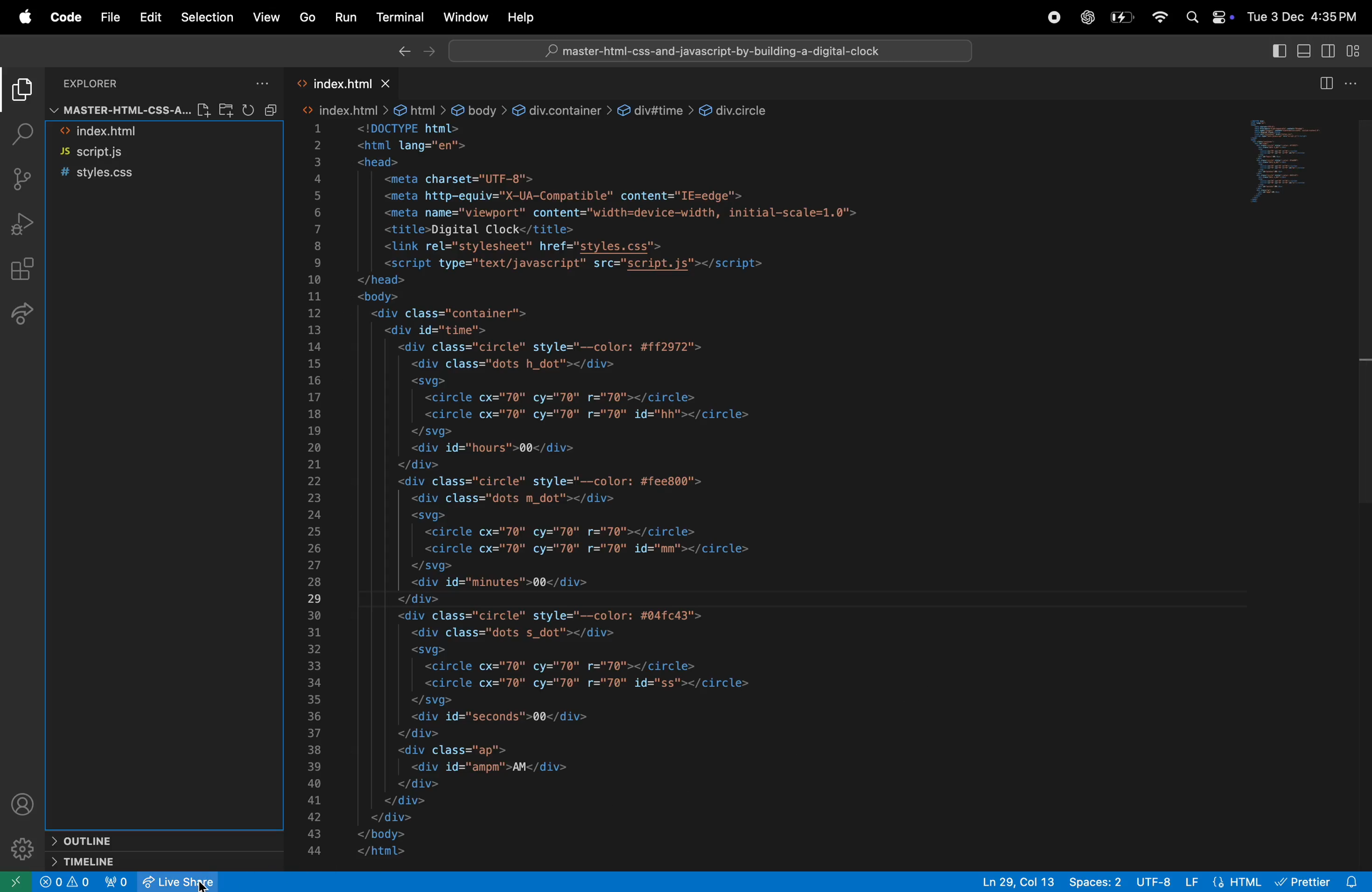 This screenshot has width=1372, height=892. What do you see at coordinates (1019, 880) in the screenshot?
I see `ln 28 col 13` at bounding box center [1019, 880].